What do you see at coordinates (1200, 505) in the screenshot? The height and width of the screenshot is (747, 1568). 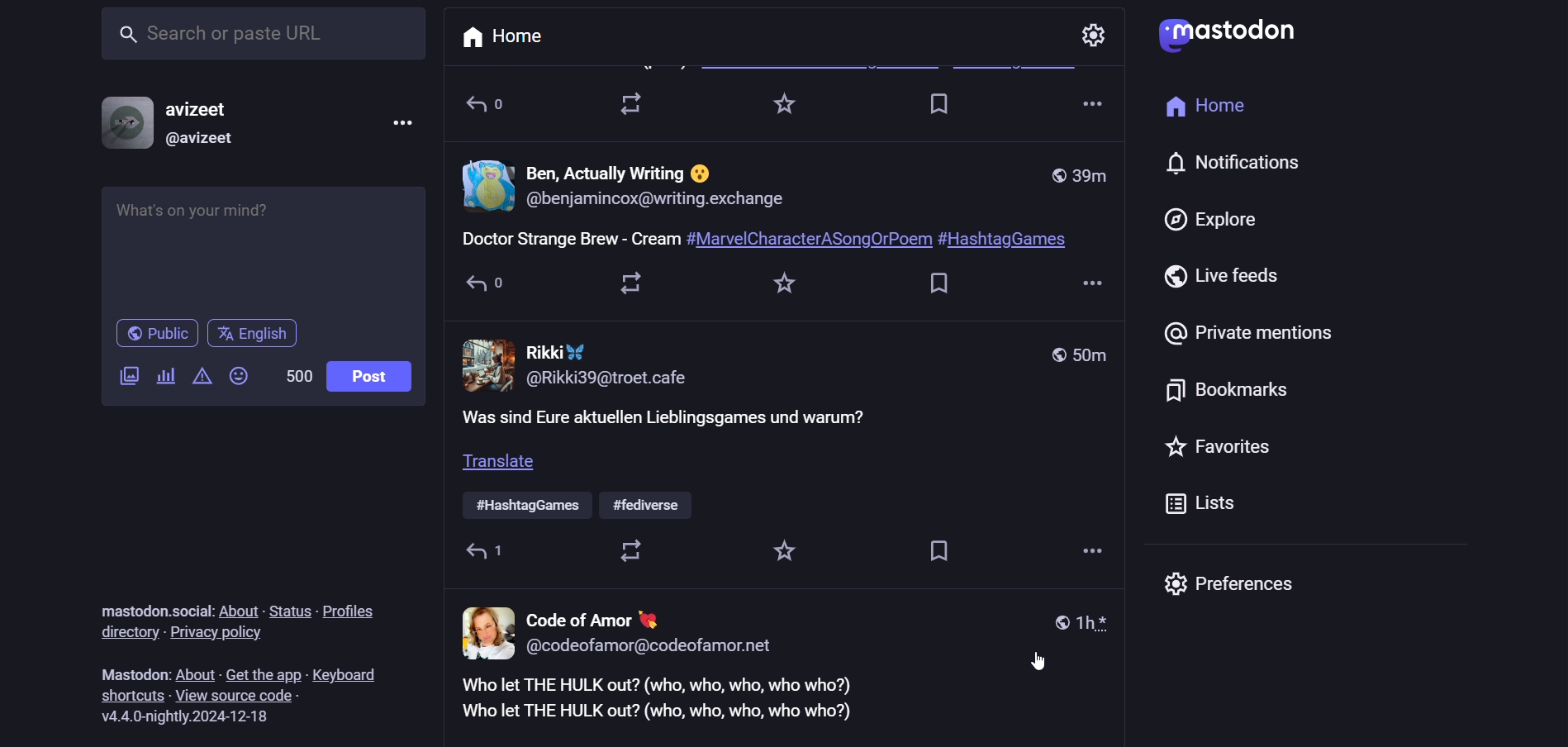 I see `lists` at bounding box center [1200, 505].